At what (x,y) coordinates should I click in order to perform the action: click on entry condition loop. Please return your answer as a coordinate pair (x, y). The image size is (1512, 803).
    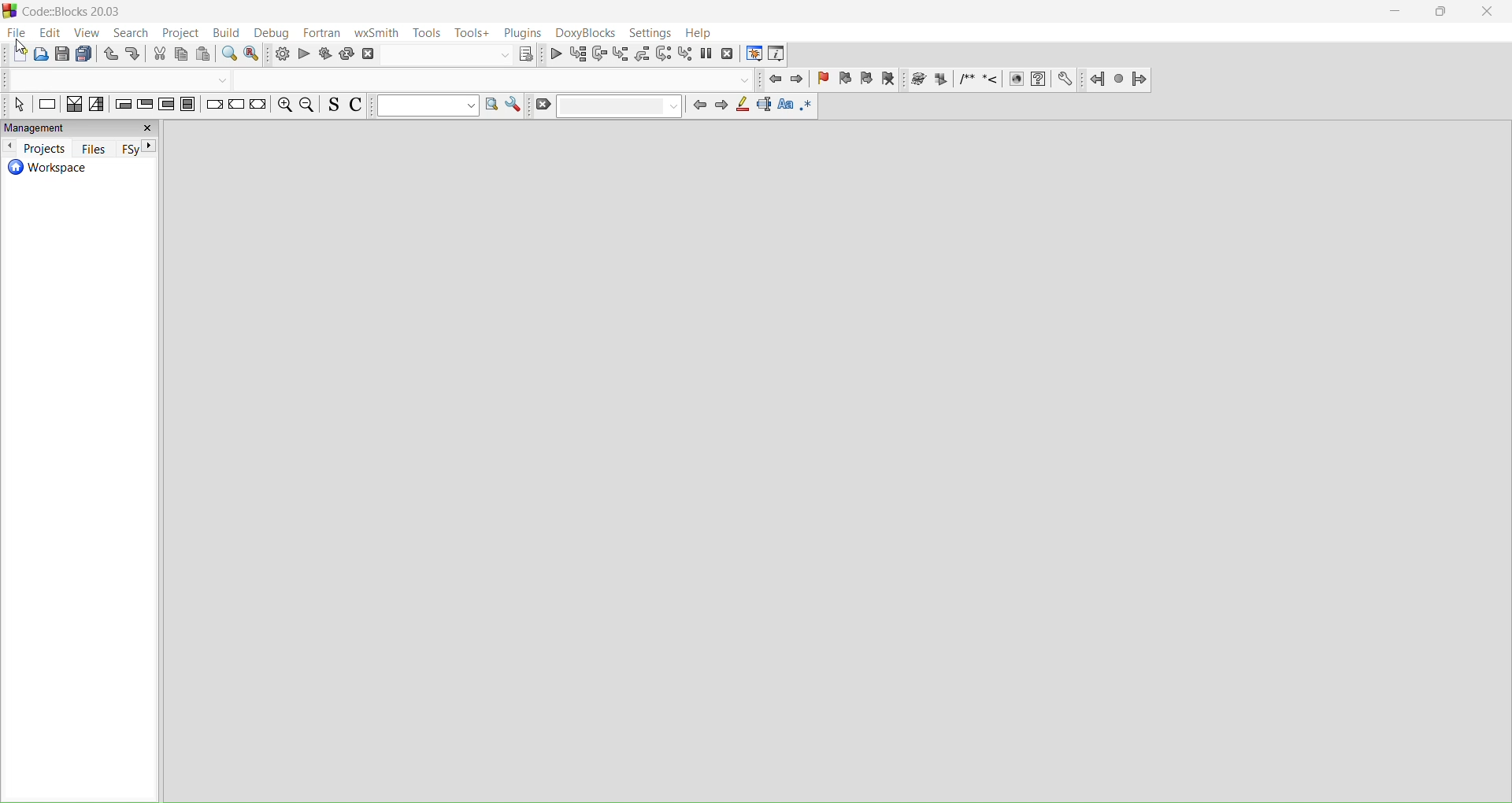
    Looking at the image, I should click on (122, 105).